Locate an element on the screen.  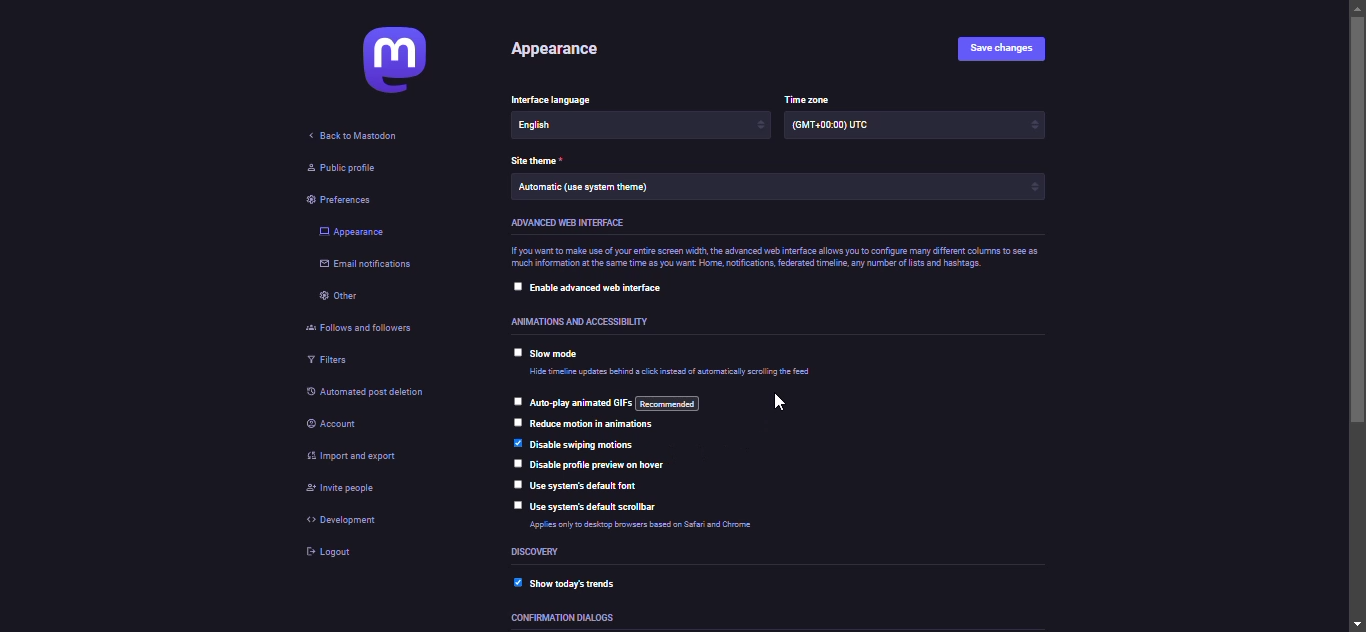
click to select is located at coordinates (515, 421).